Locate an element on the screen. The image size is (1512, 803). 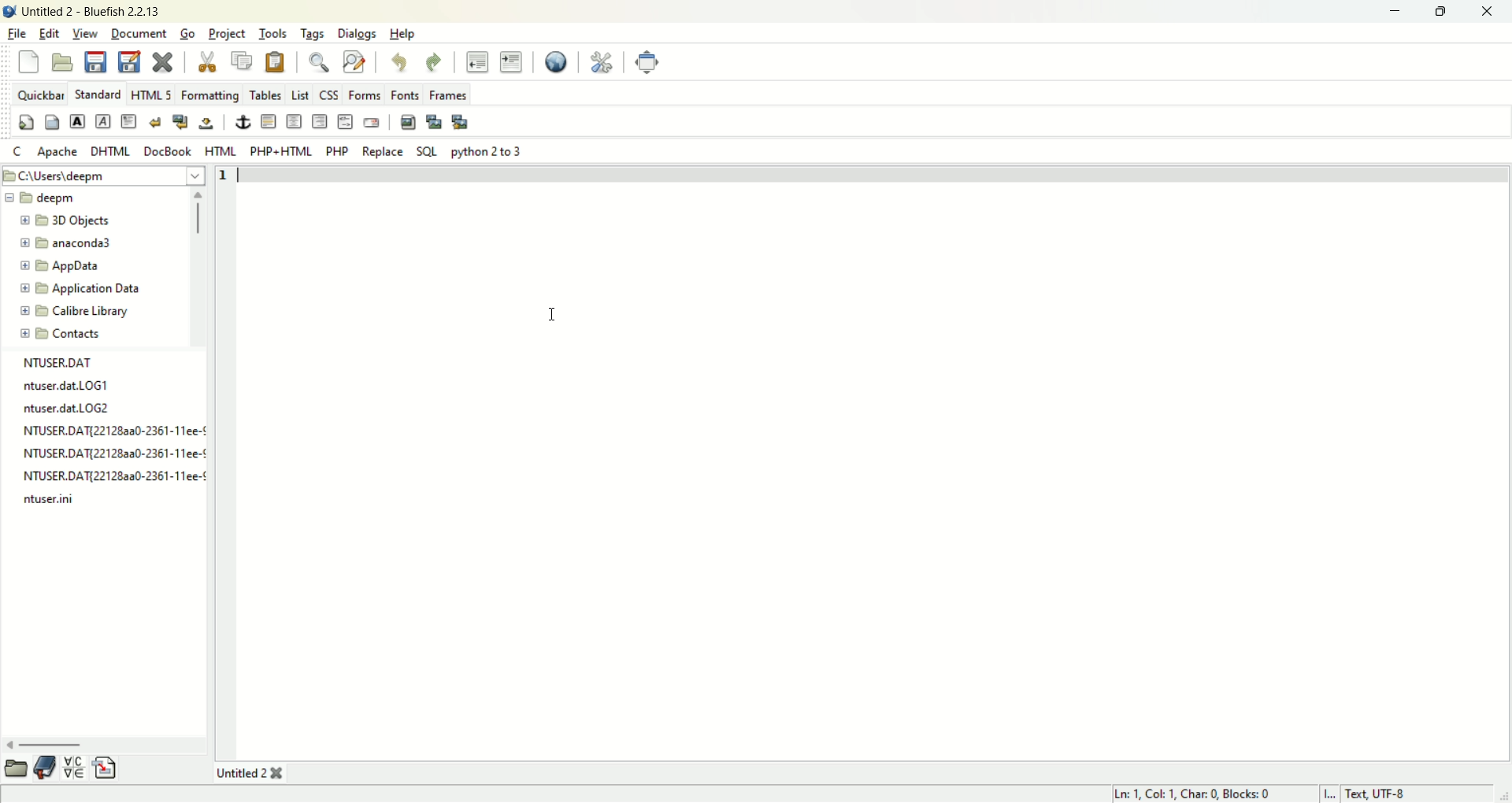
undo is located at coordinates (401, 63).